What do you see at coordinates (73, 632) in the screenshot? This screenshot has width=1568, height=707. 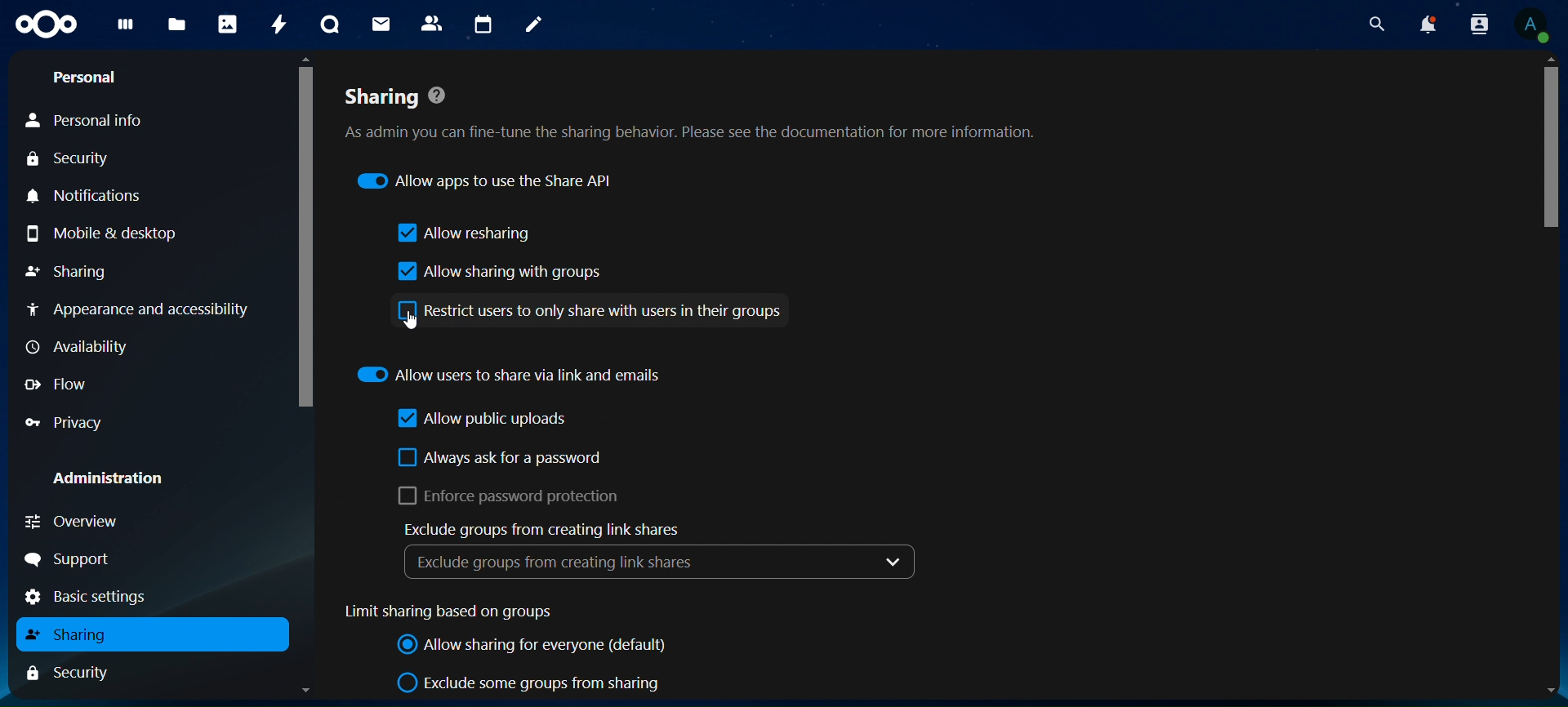 I see `sharing` at bounding box center [73, 632].